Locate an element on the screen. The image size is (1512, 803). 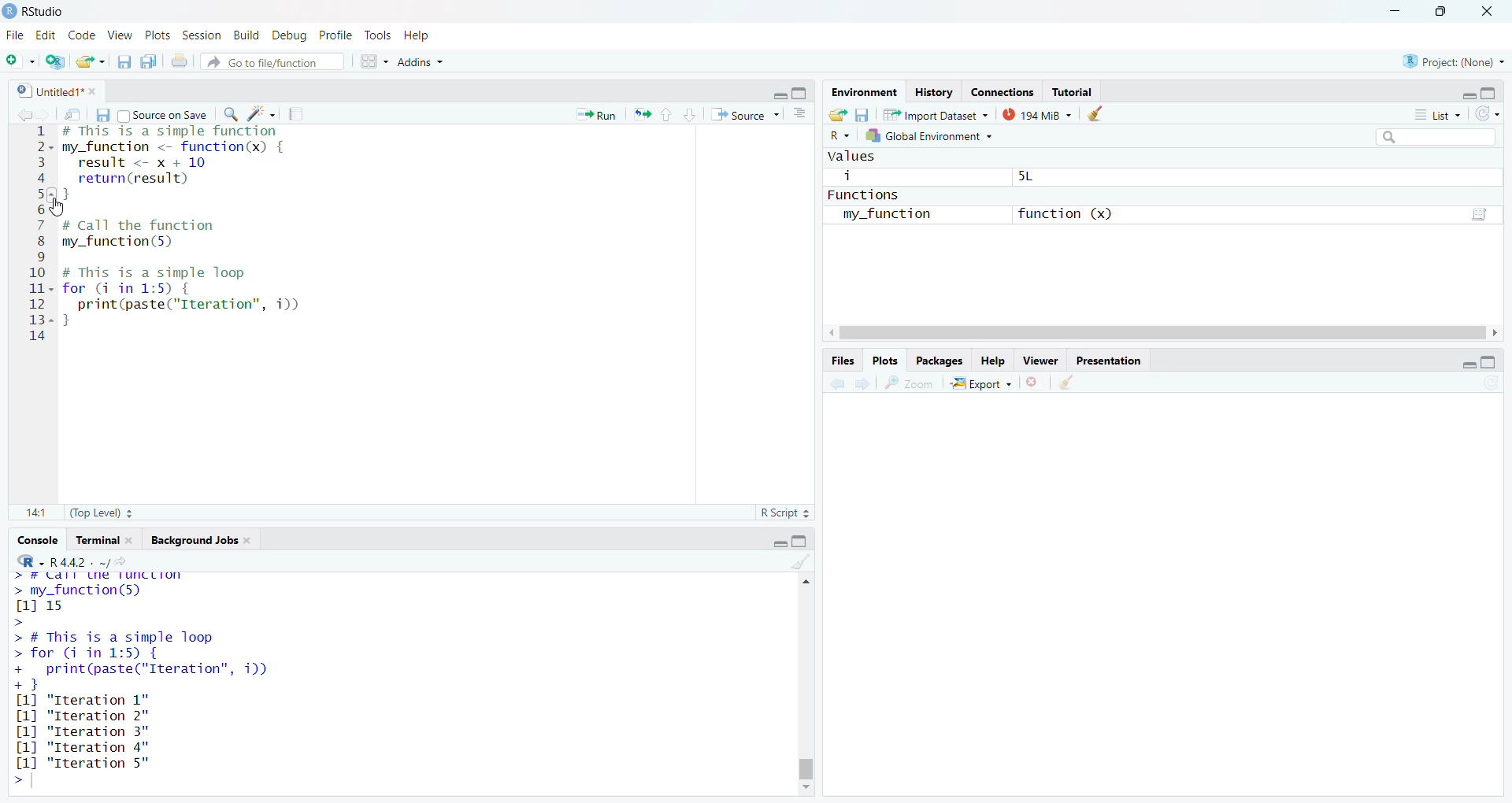
close is located at coordinates (1492, 9).